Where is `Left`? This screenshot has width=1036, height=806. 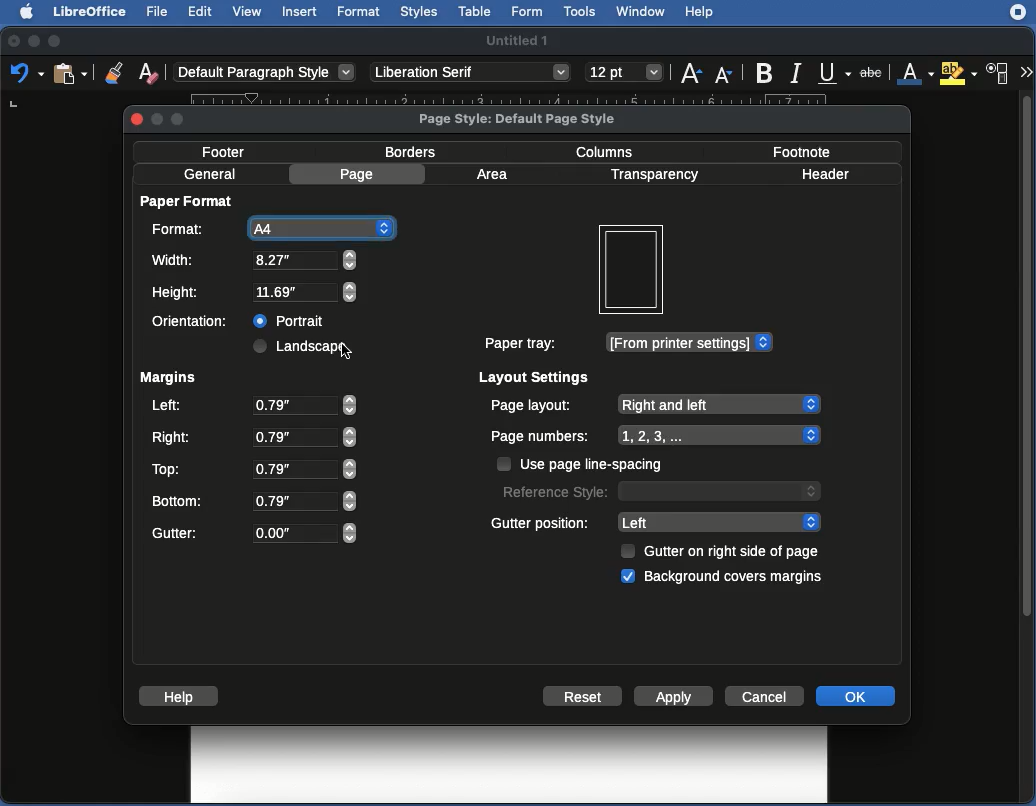
Left is located at coordinates (168, 407).